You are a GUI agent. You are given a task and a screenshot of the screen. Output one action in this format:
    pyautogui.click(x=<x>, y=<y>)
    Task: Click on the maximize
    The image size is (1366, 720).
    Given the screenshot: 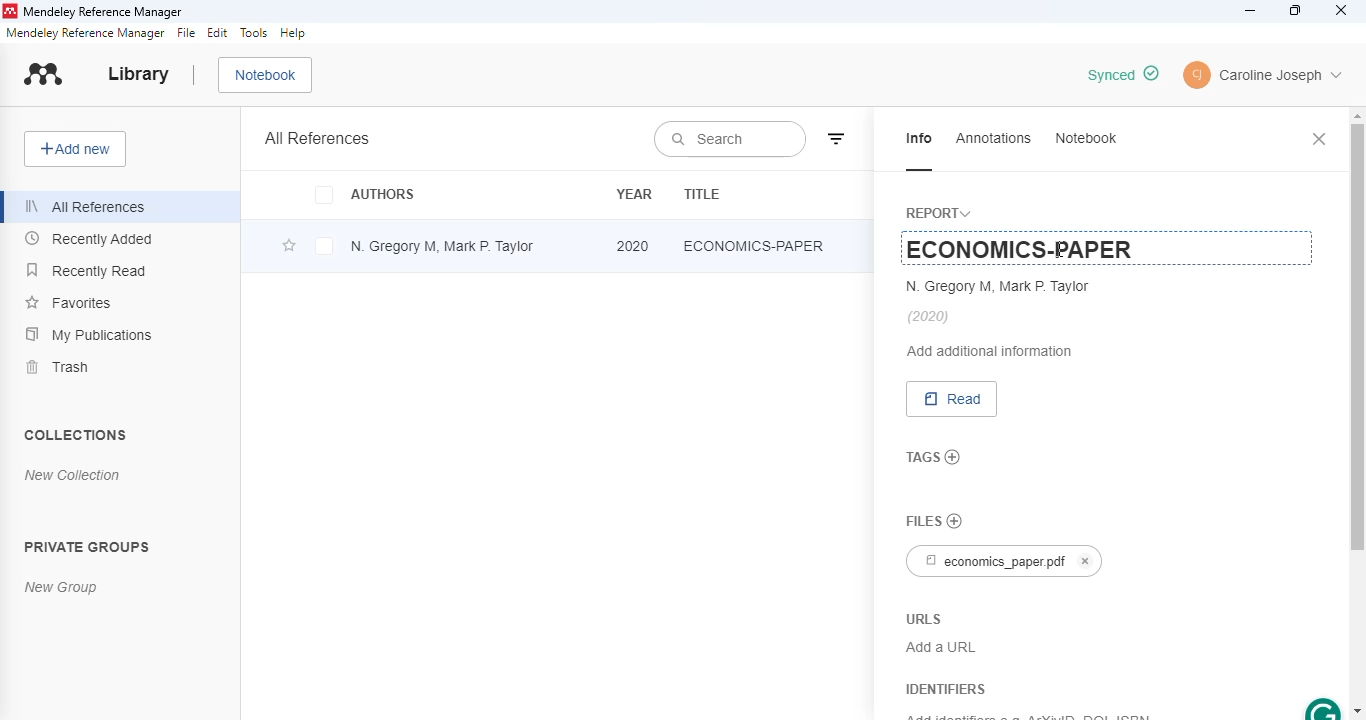 What is the action you would take?
    pyautogui.click(x=1295, y=11)
    